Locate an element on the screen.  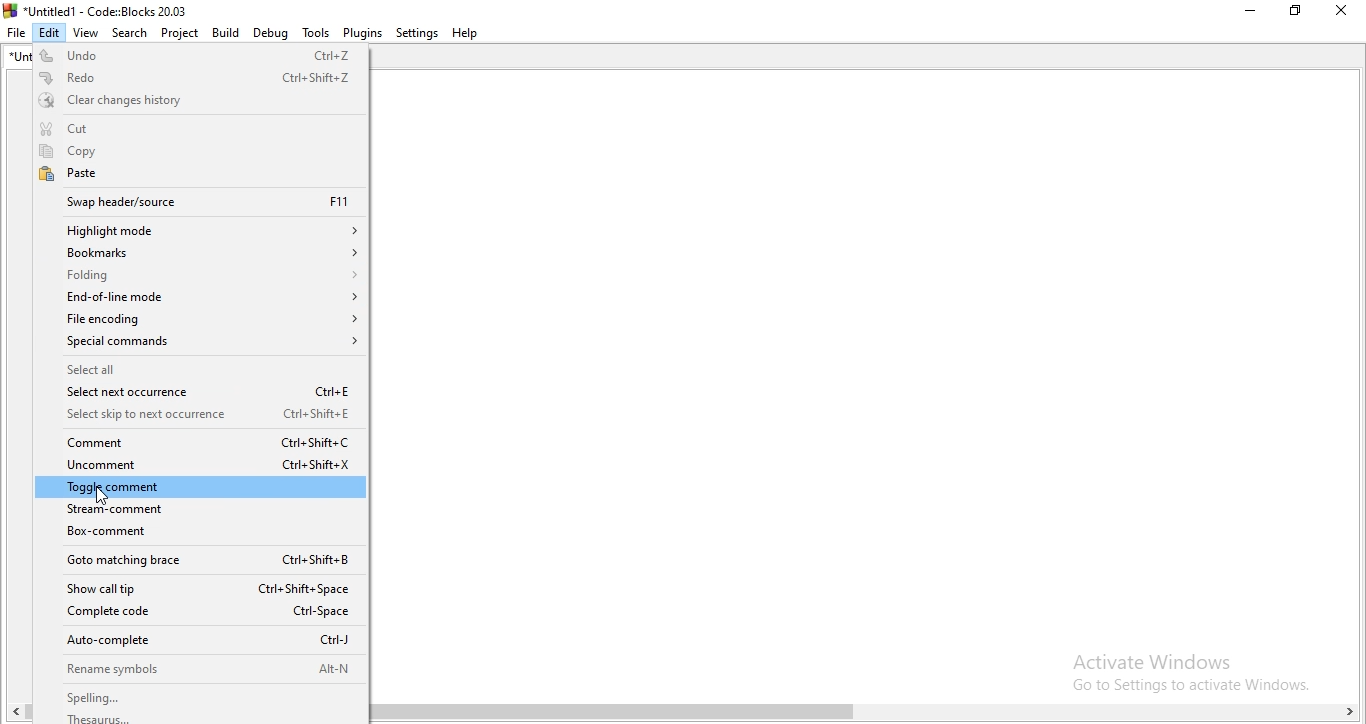
Untitled1 - Code : Blocks 20.03 is located at coordinates (99, 10).